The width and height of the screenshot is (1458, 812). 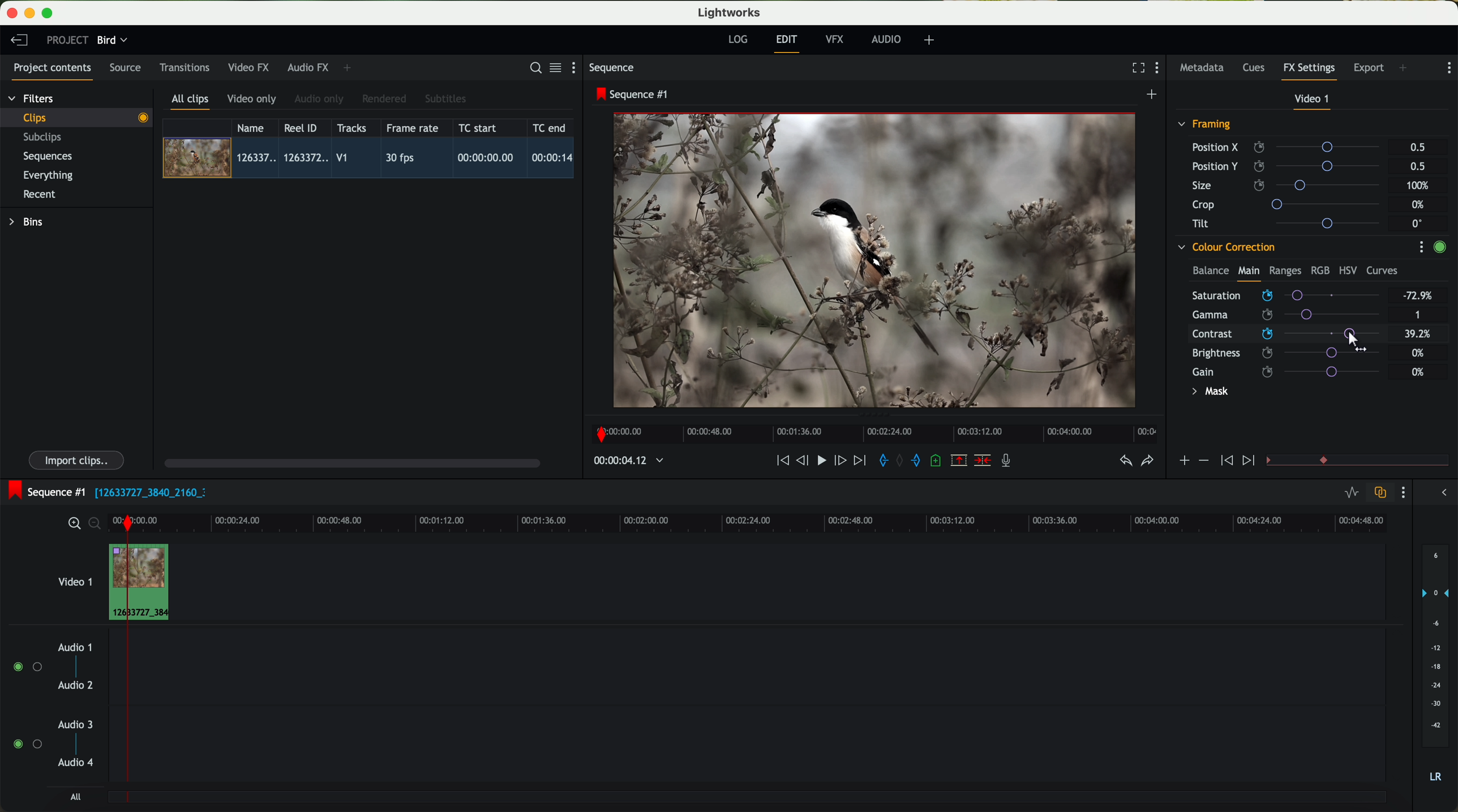 What do you see at coordinates (27, 744) in the screenshot?
I see `enable audio` at bounding box center [27, 744].